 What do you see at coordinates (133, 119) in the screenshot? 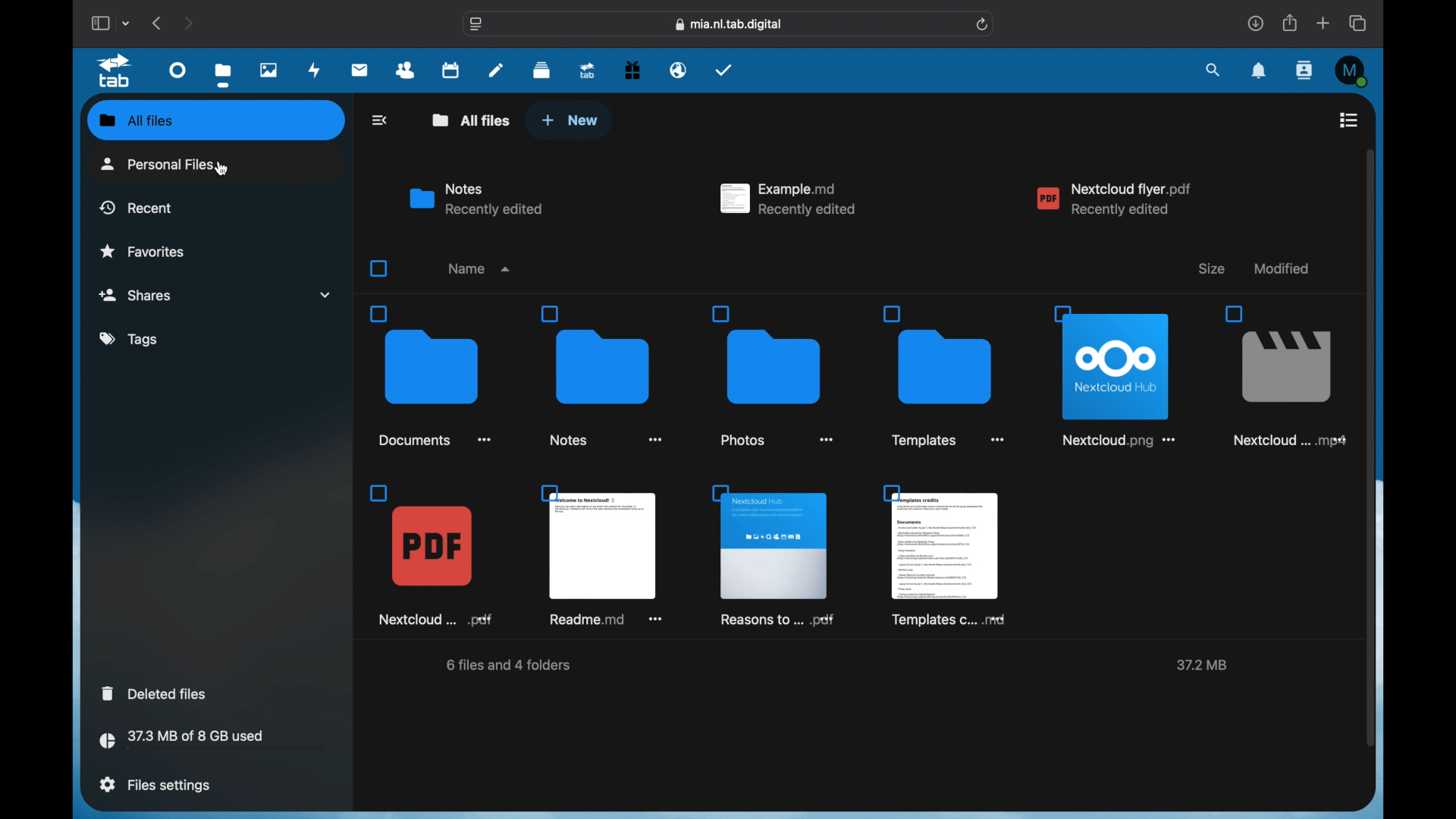
I see `all files` at bounding box center [133, 119].